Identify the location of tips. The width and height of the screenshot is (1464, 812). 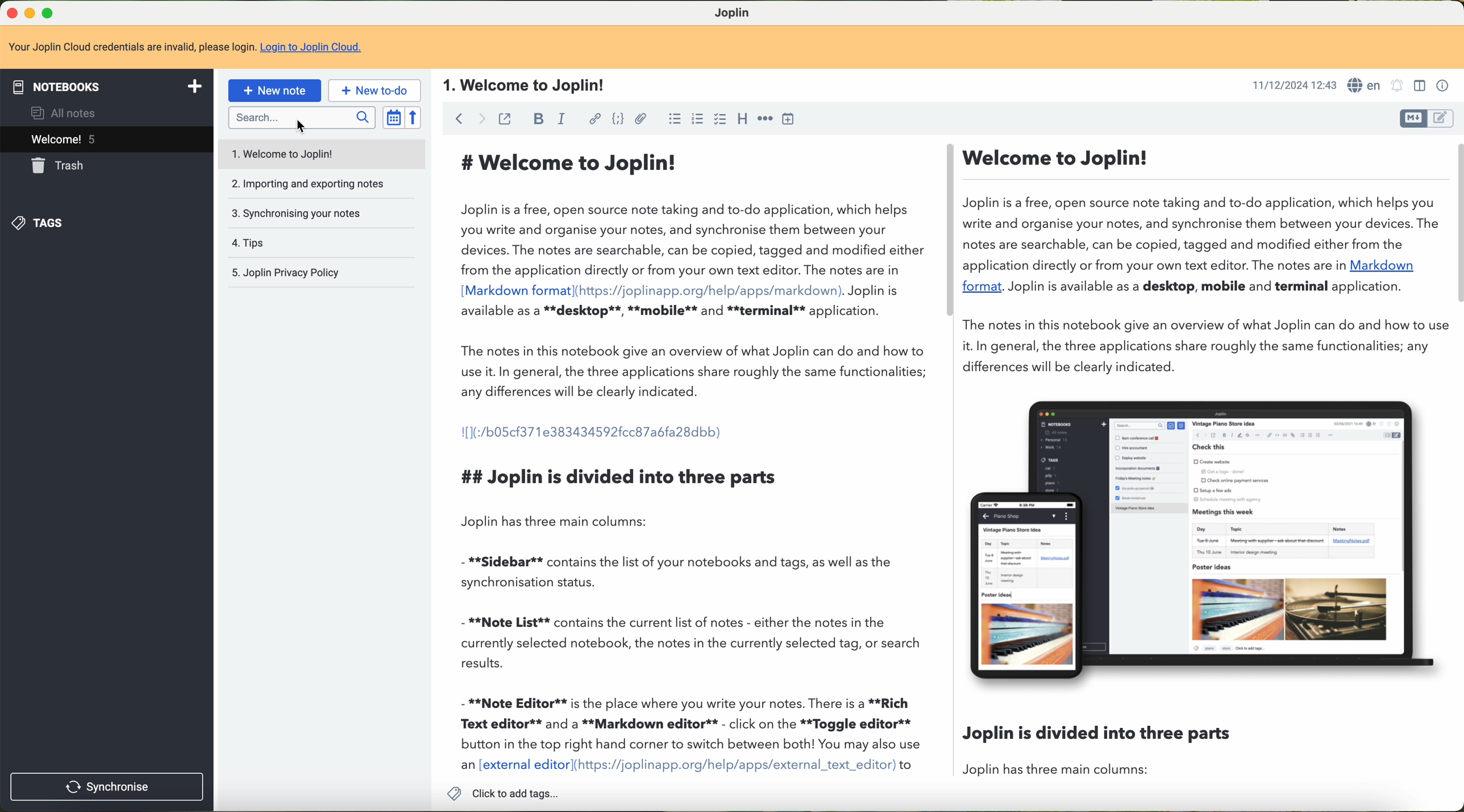
(321, 244).